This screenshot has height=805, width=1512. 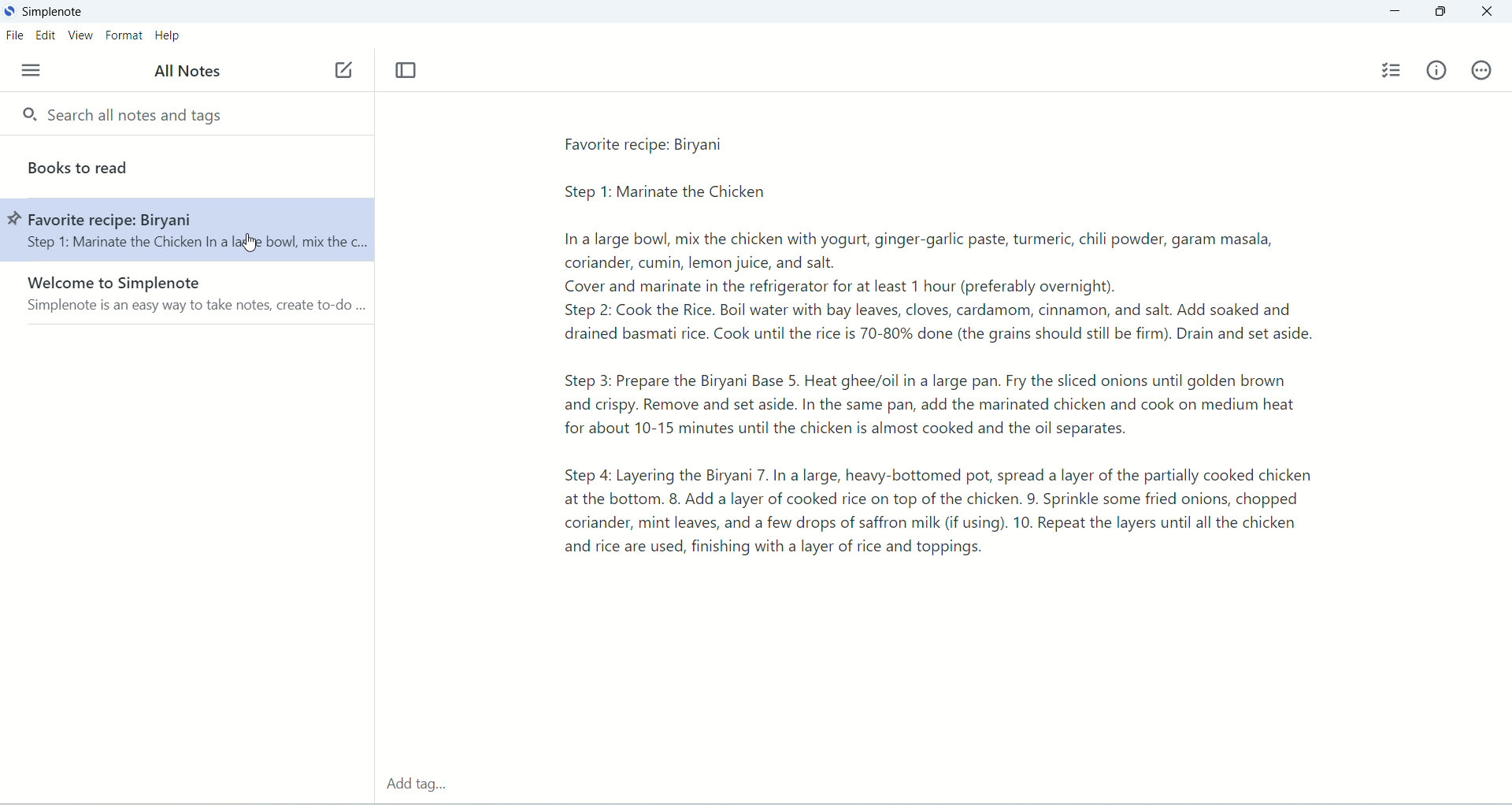 I want to click on format, so click(x=124, y=38).